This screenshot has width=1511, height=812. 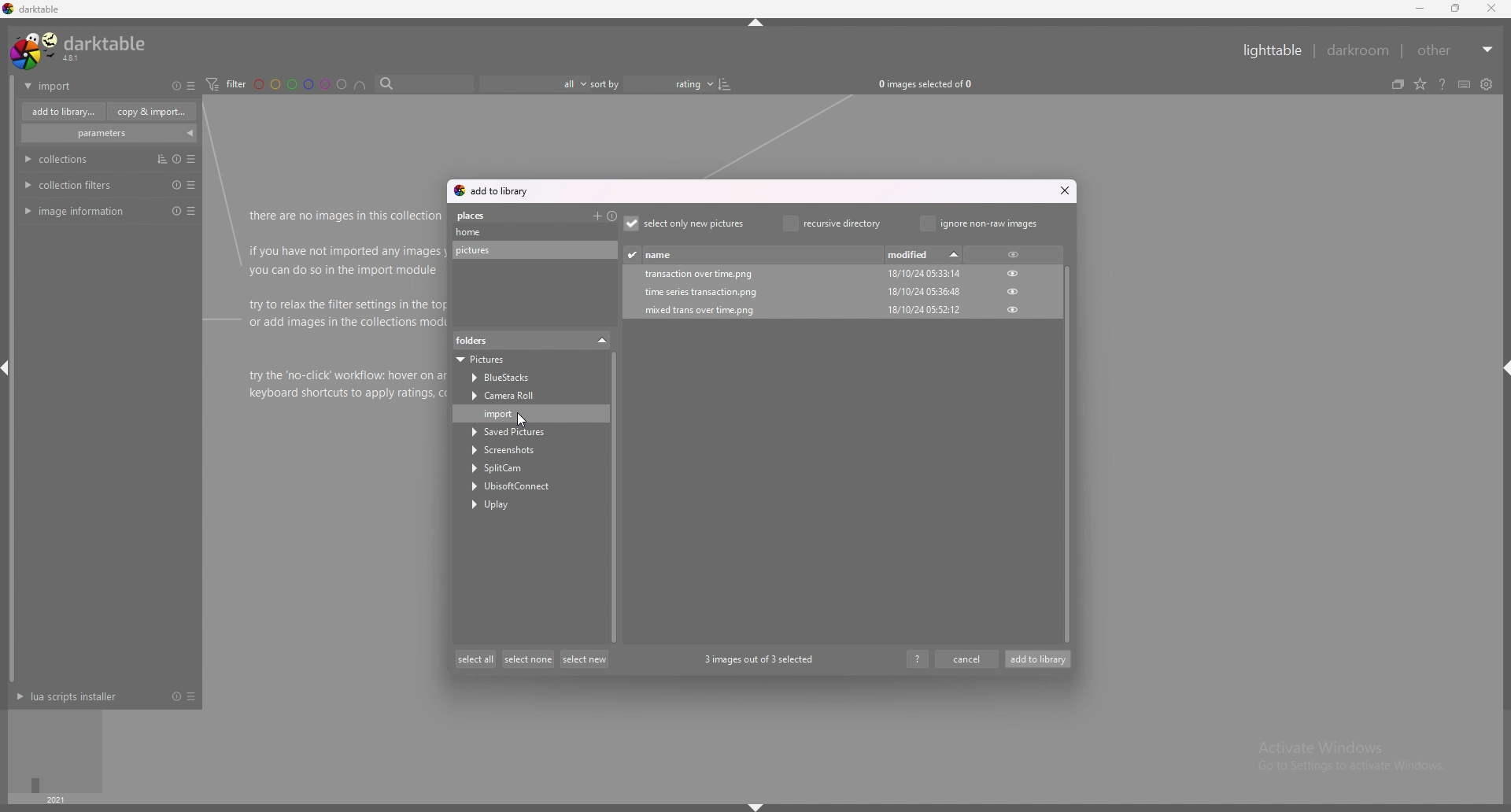 I want to click on year, so click(x=55, y=799).